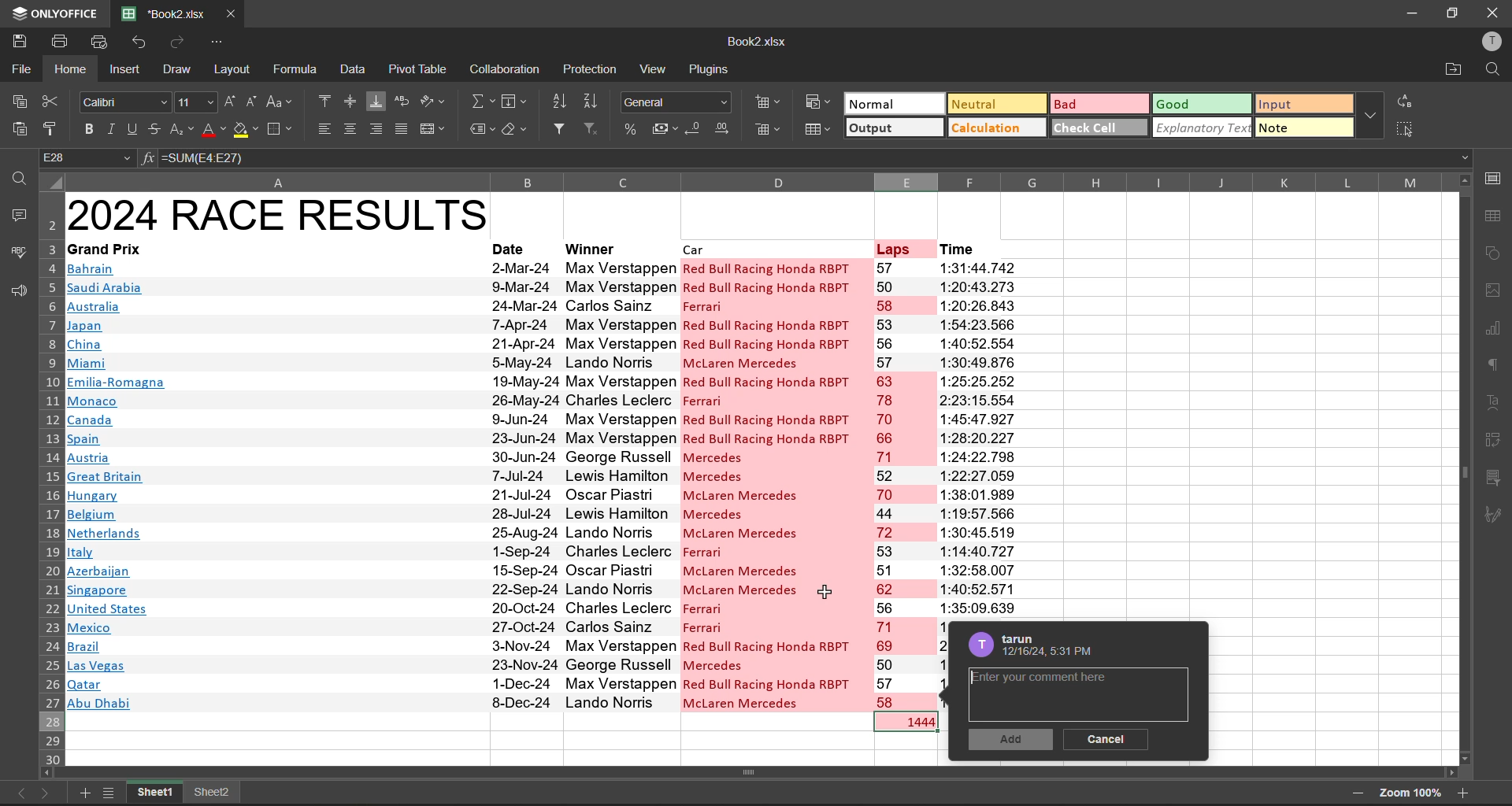 Image resolution: width=1512 pixels, height=806 pixels. I want to click on charts, so click(1492, 326).